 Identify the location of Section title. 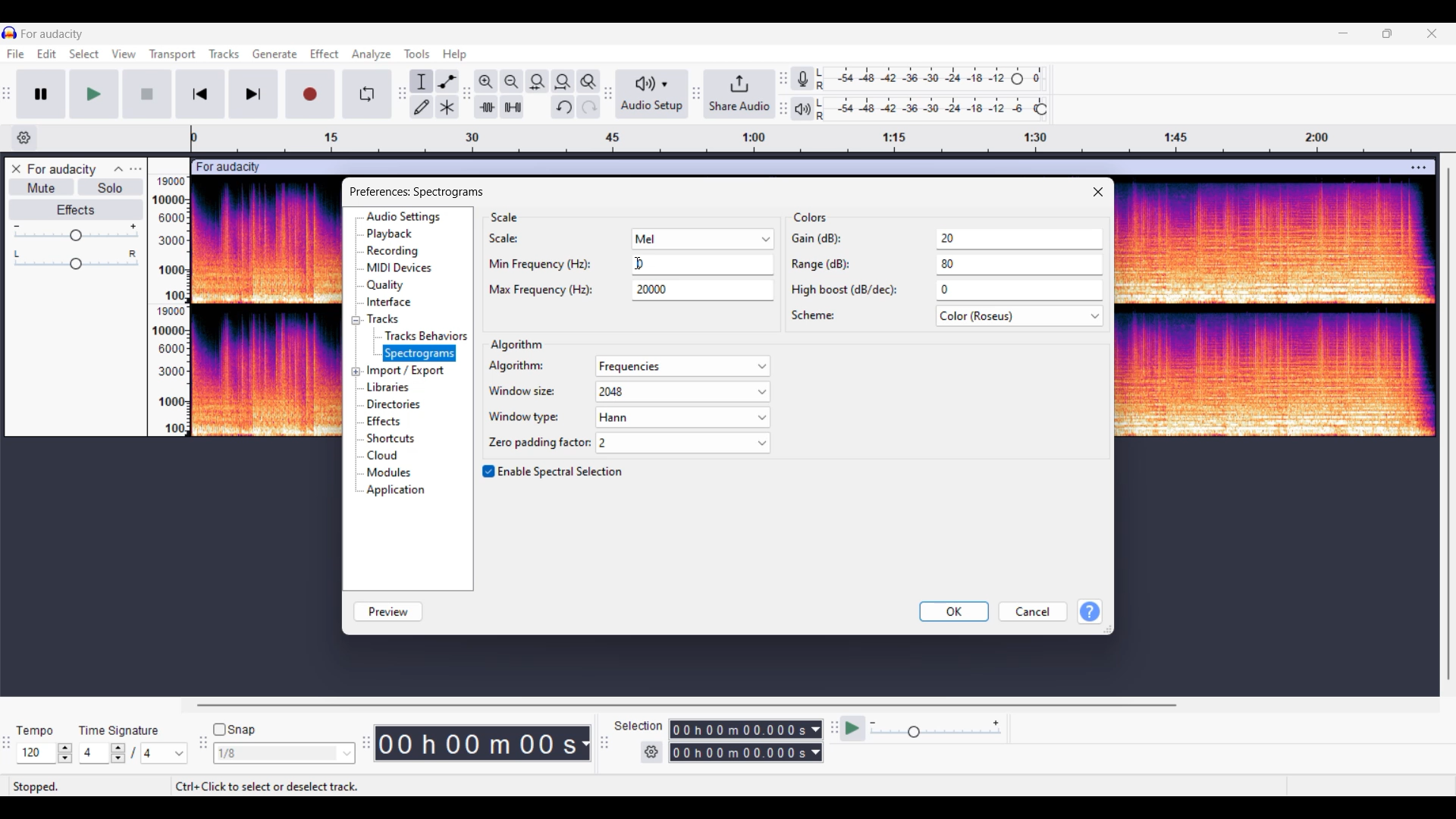
(505, 217).